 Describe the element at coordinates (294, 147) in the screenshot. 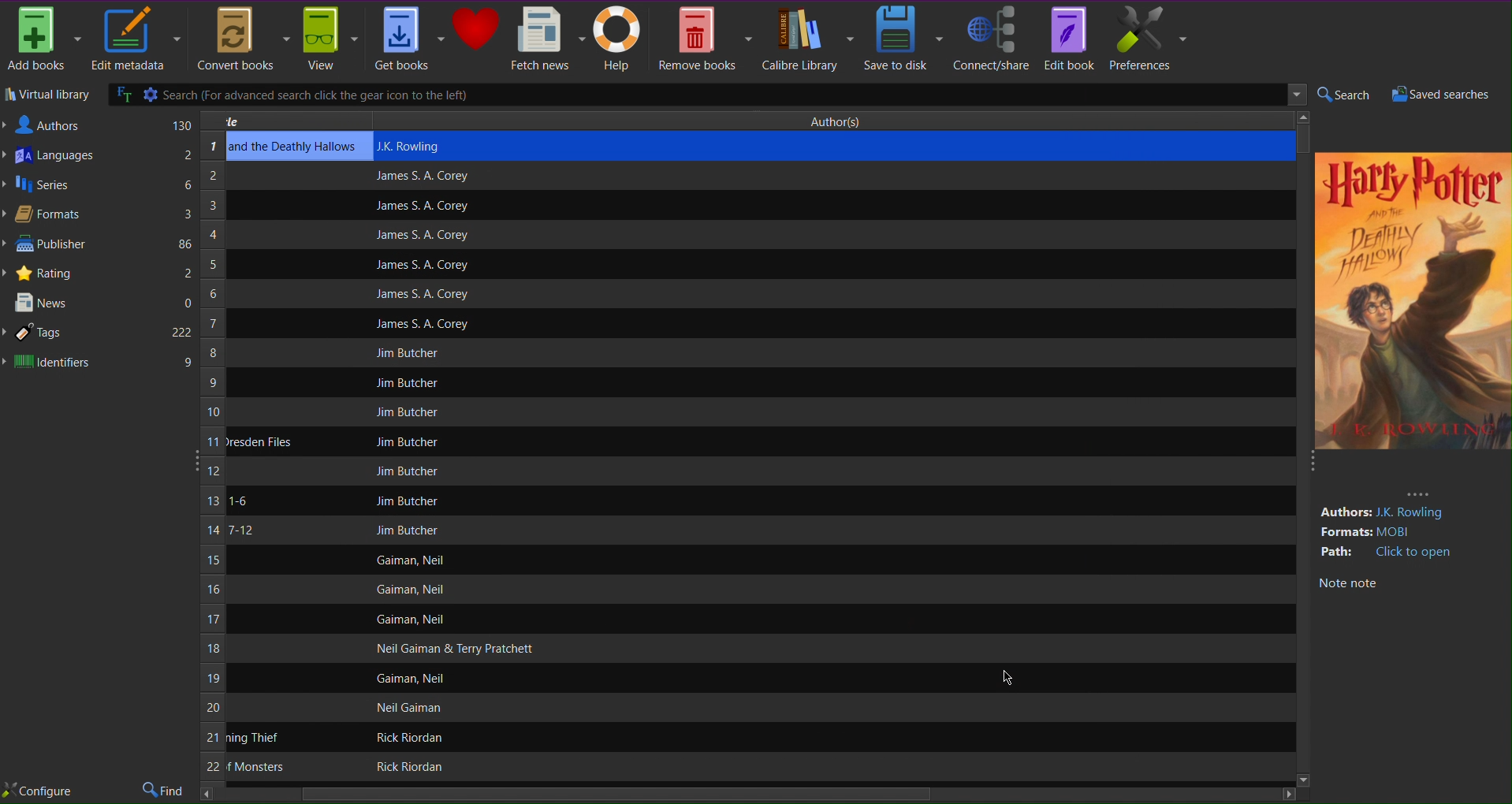

I see `and the Deathly Hallows` at that location.